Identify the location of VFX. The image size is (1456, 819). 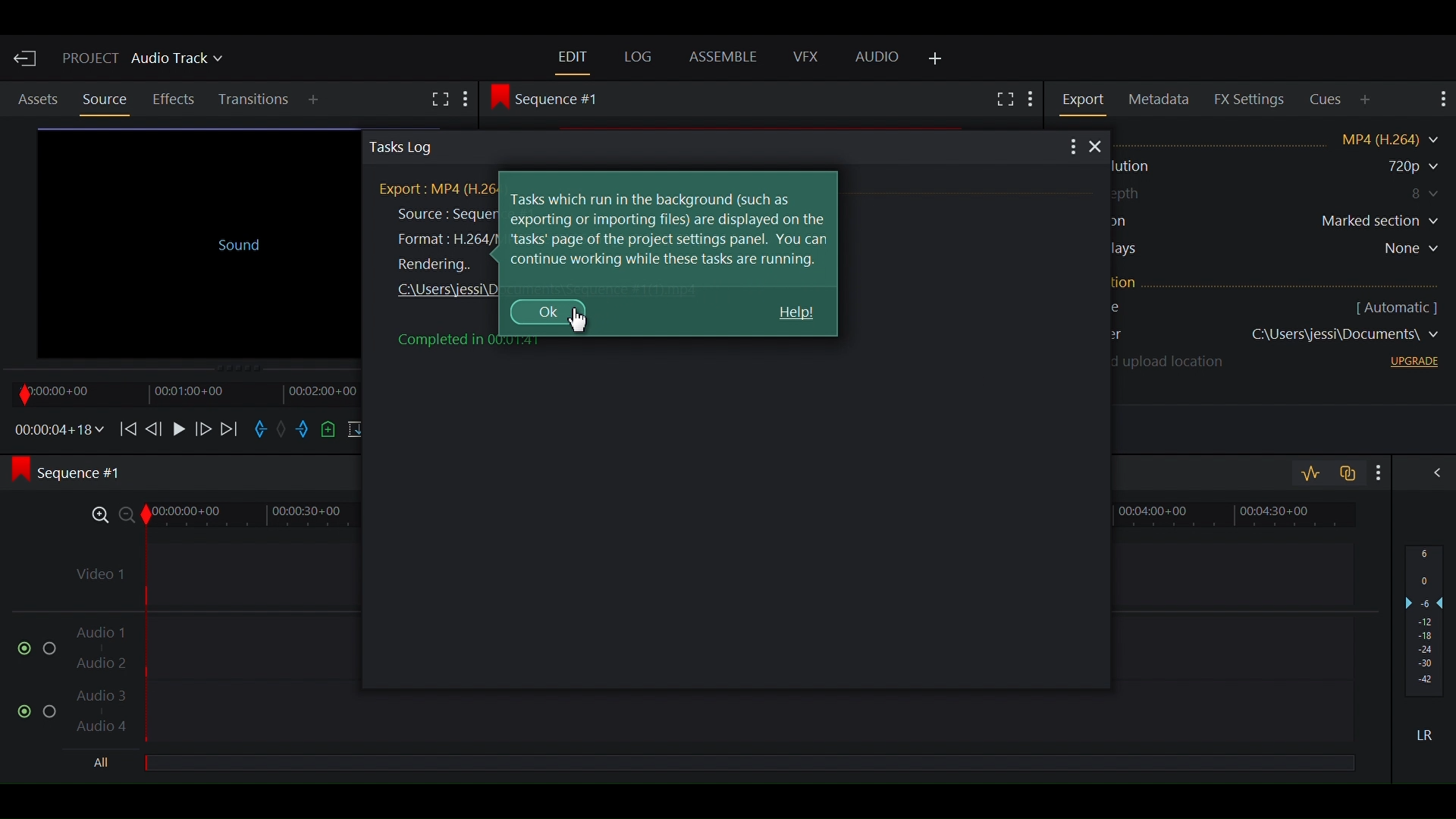
(805, 57).